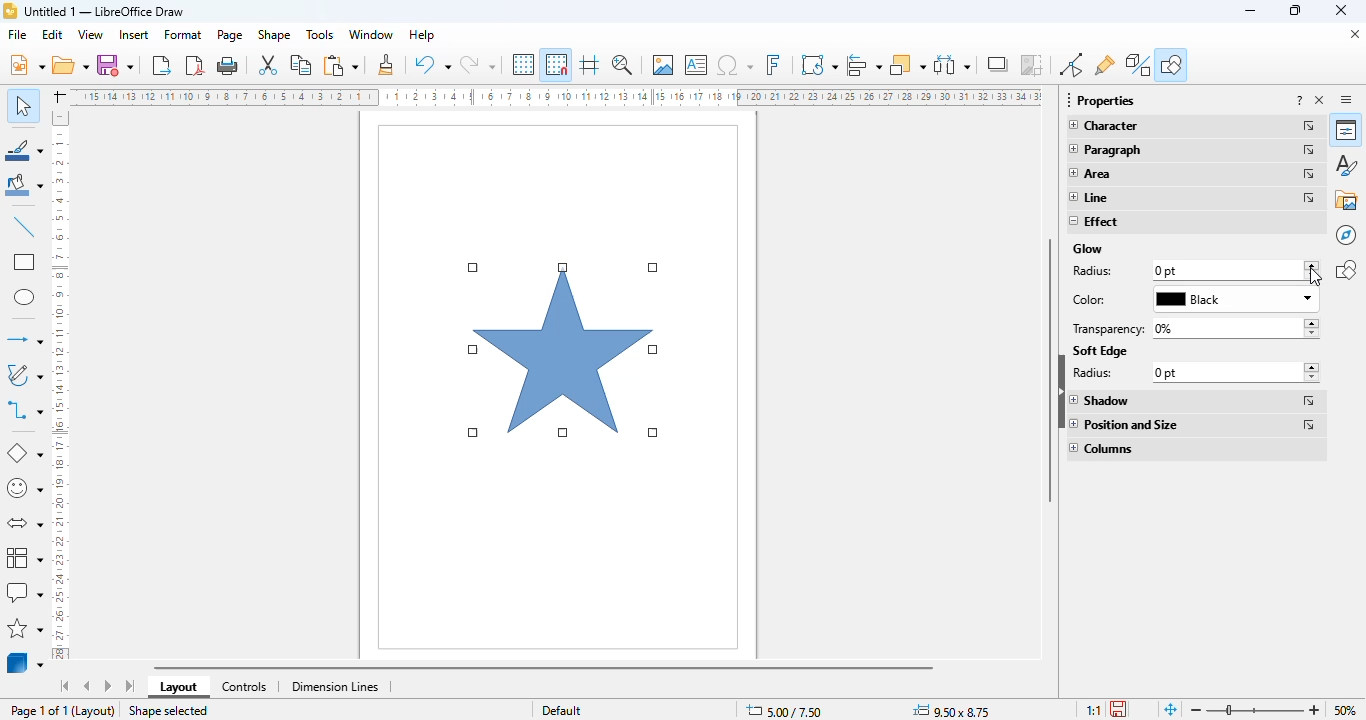 This screenshot has width=1366, height=720. Describe the element at coordinates (267, 64) in the screenshot. I see `cut` at that location.